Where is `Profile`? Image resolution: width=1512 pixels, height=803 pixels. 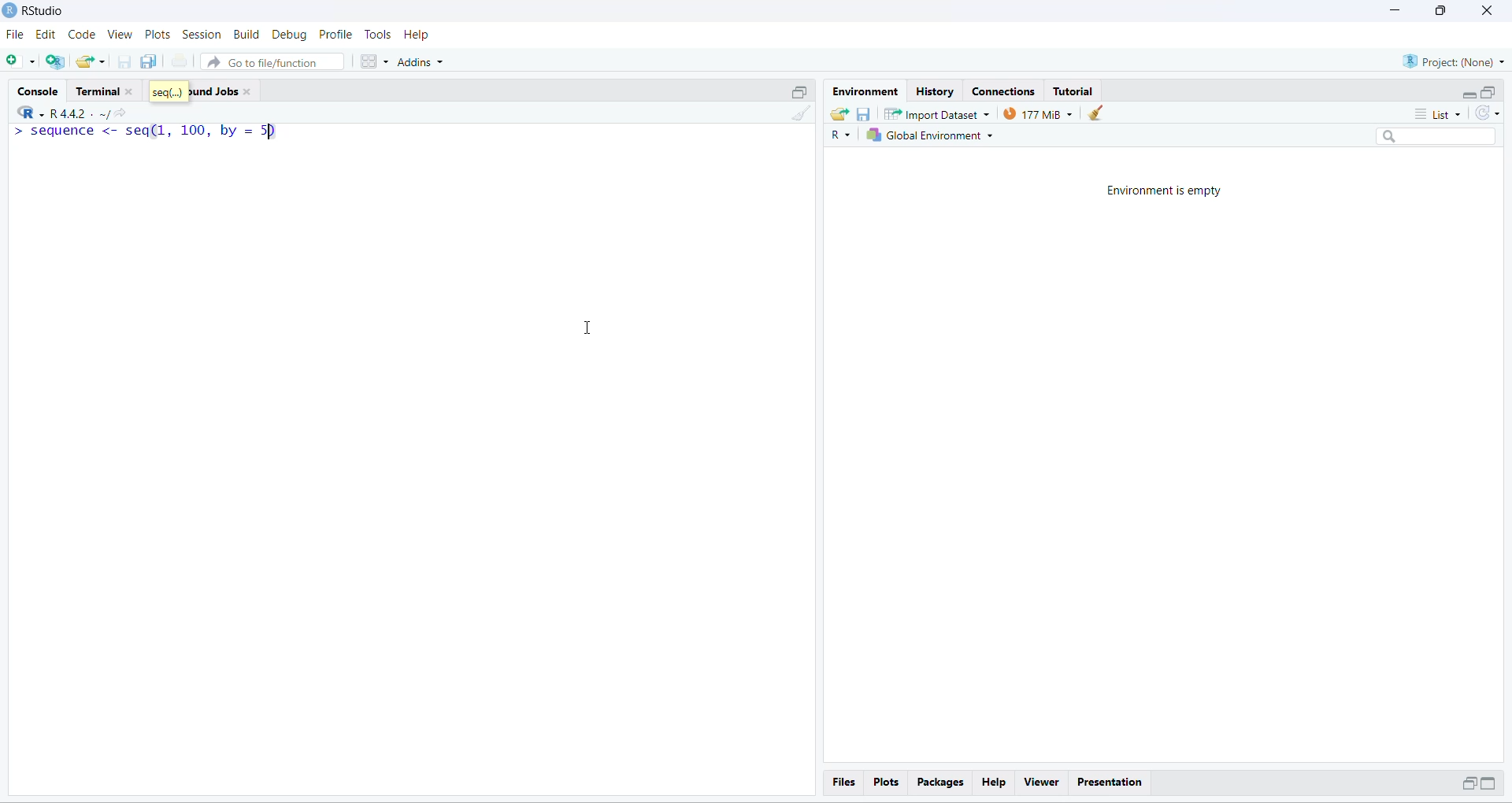
Profile is located at coordinates (335, 34).